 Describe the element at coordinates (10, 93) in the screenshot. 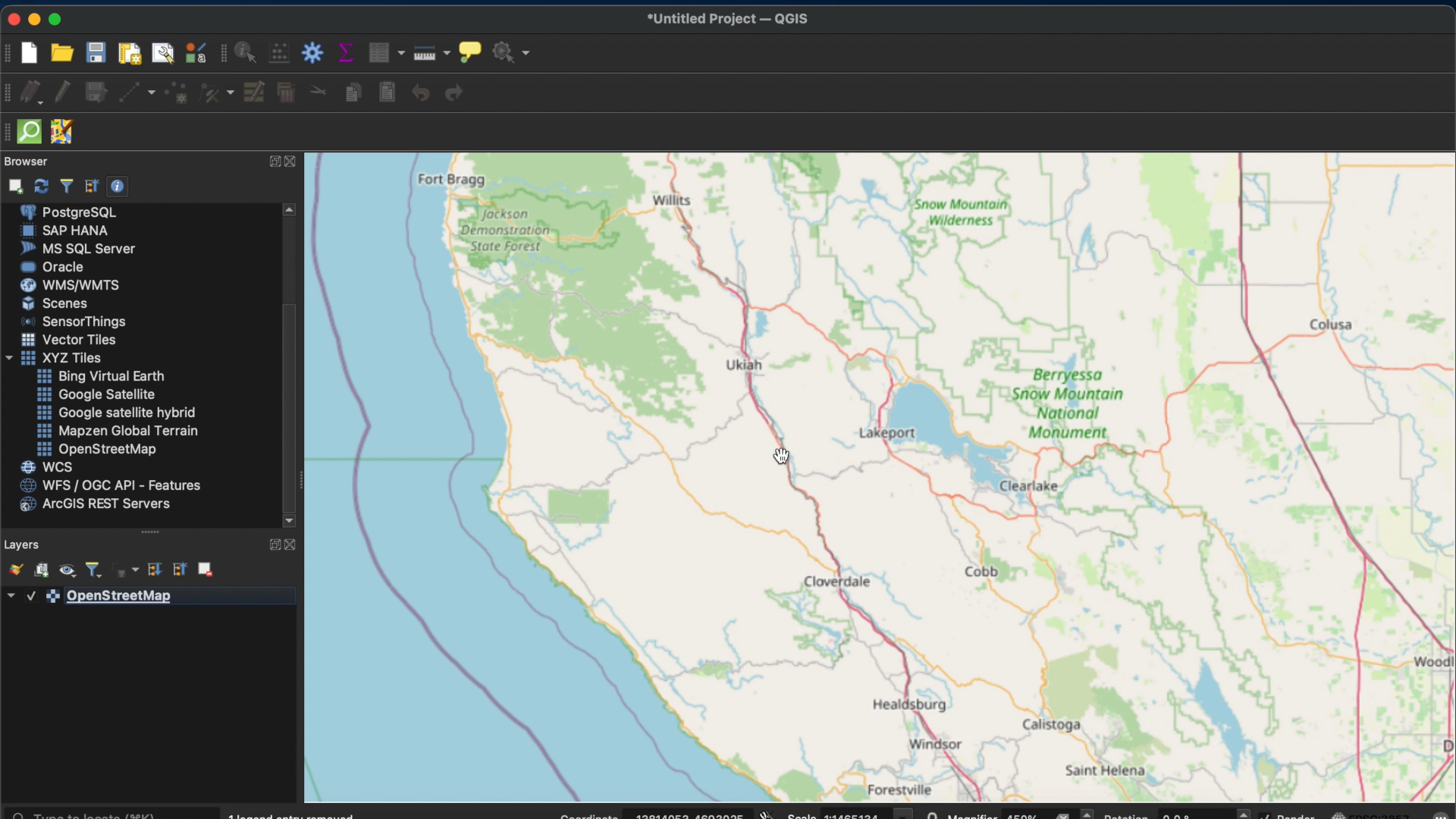

I see `digitizing tool bar` at that location.